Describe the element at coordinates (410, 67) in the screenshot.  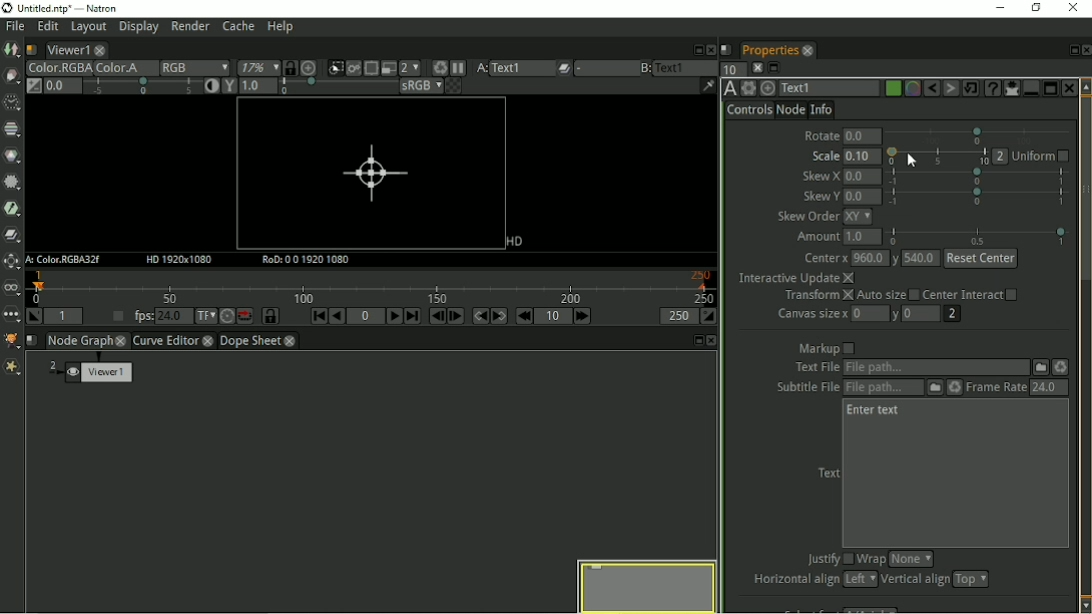
I see `Scale down rendered image` at that location.